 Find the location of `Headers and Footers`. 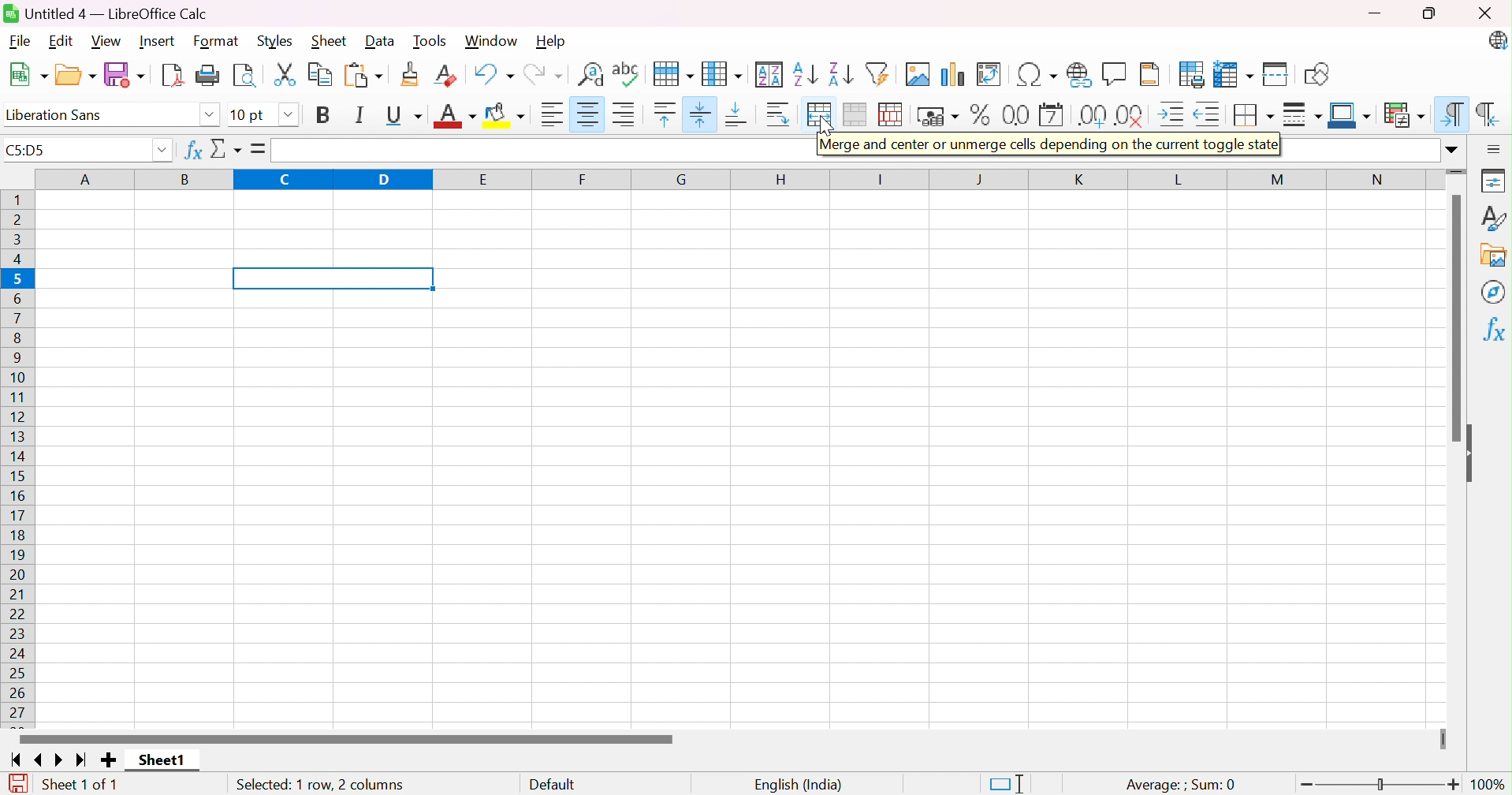

Headers and Footers is located at coordinates (1154, 73).